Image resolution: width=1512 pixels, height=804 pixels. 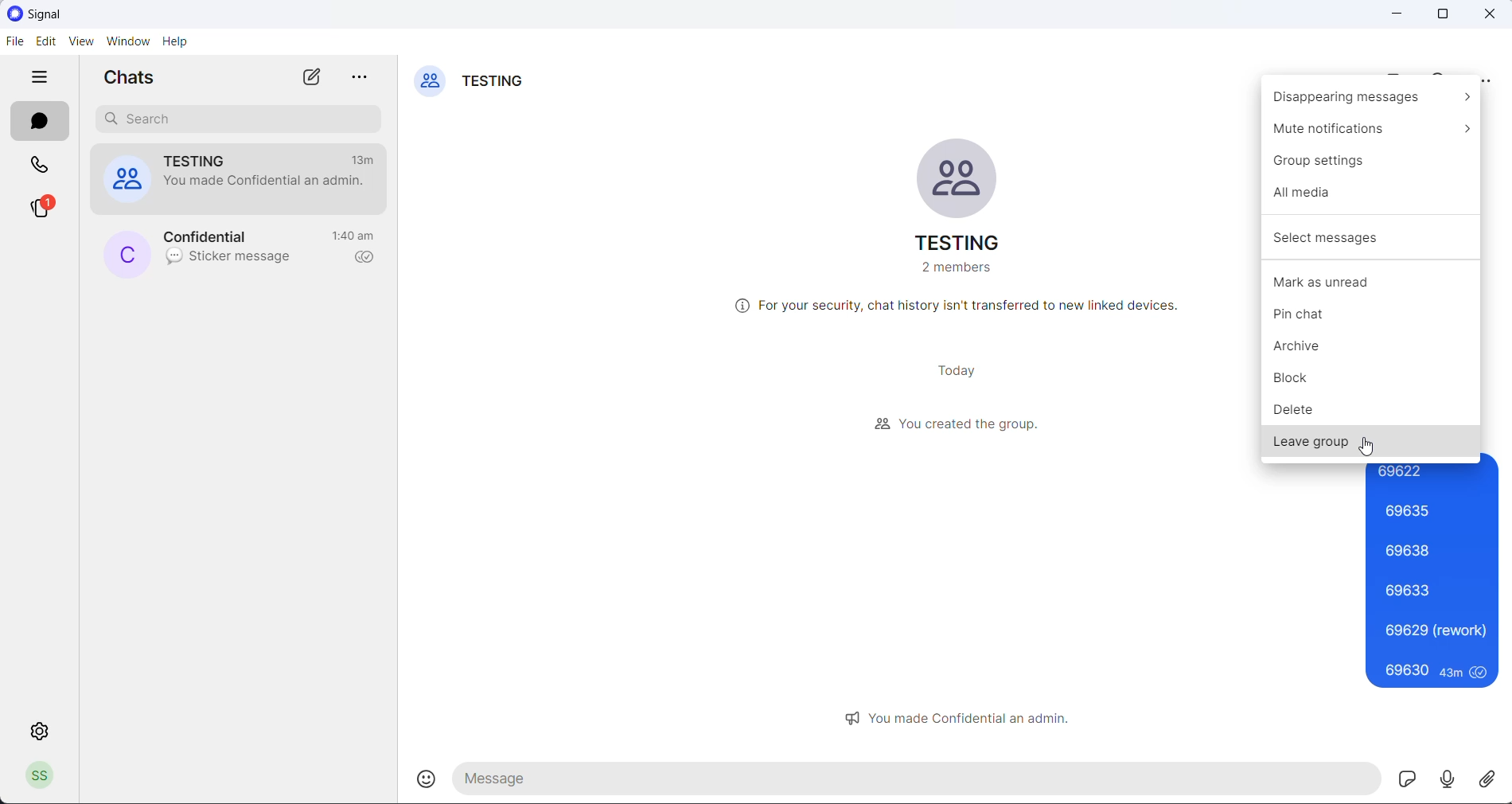 What do you see at coordinates (1373, 380) in the screenshot?
I see `block` at bounding box center [1373, 380].